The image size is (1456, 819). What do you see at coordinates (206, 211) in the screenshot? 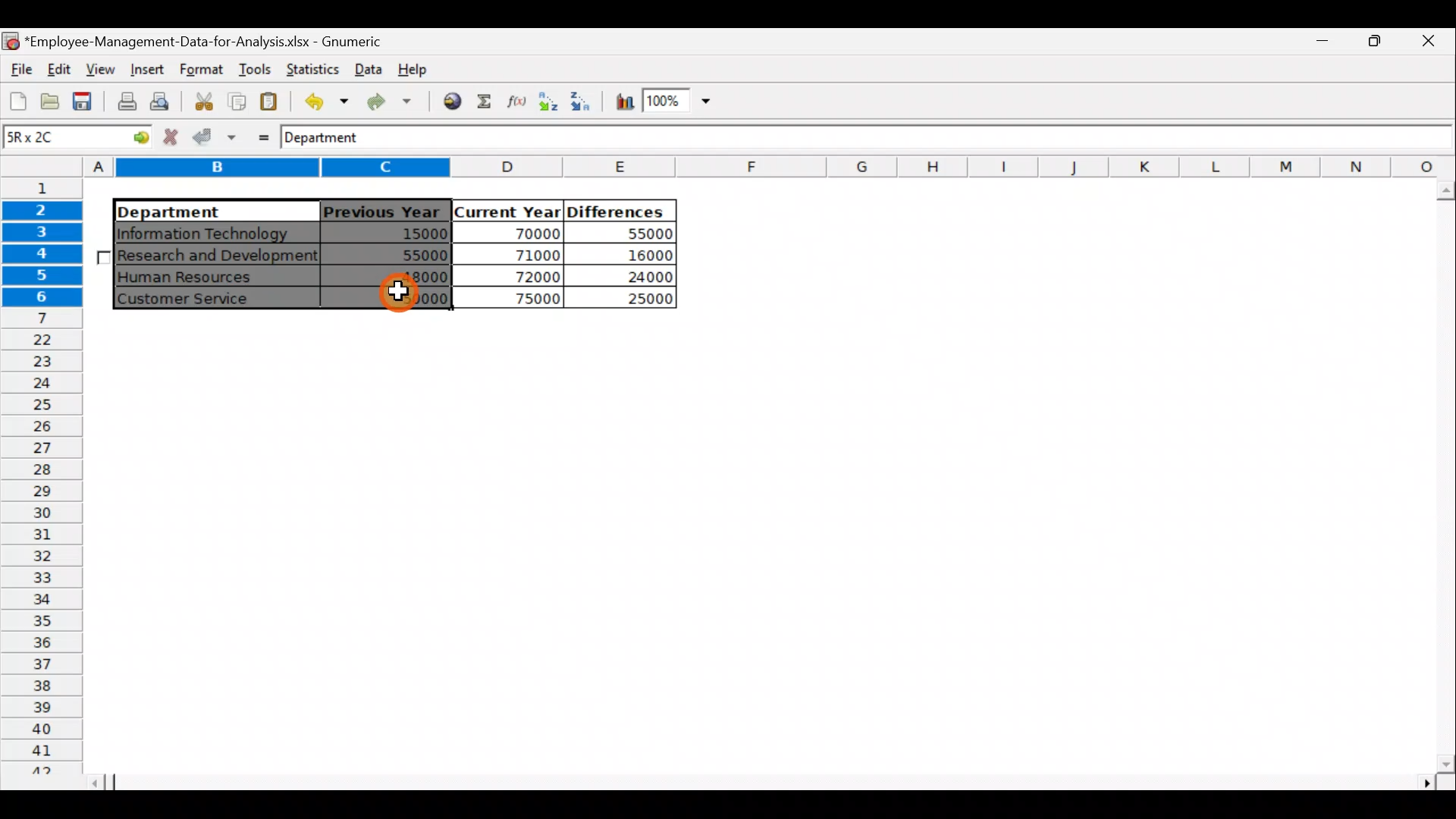
I see `Department` at bounding box center [206, 211].